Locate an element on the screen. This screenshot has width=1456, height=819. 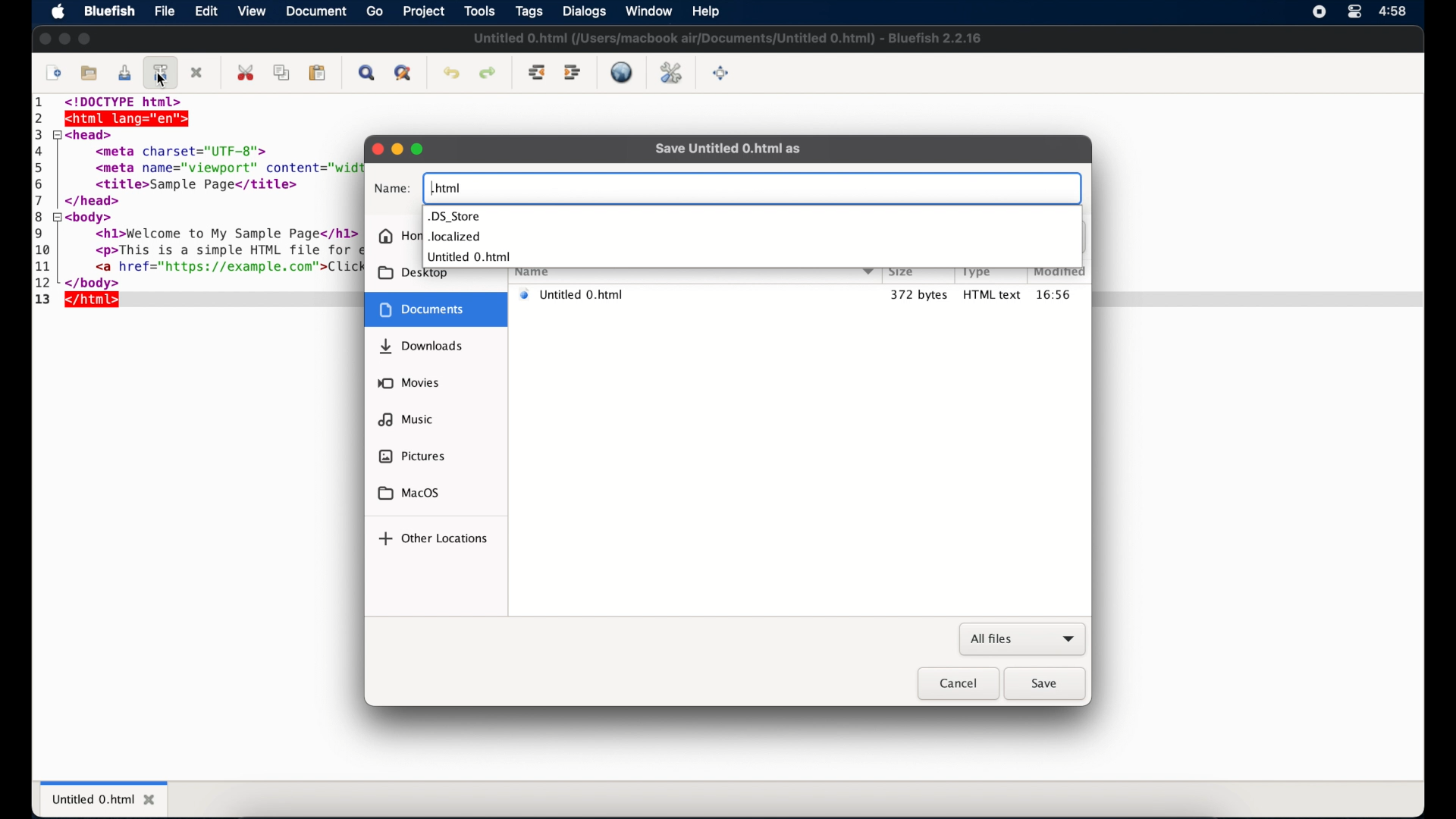
</head> is located at coordinates (93, 202).